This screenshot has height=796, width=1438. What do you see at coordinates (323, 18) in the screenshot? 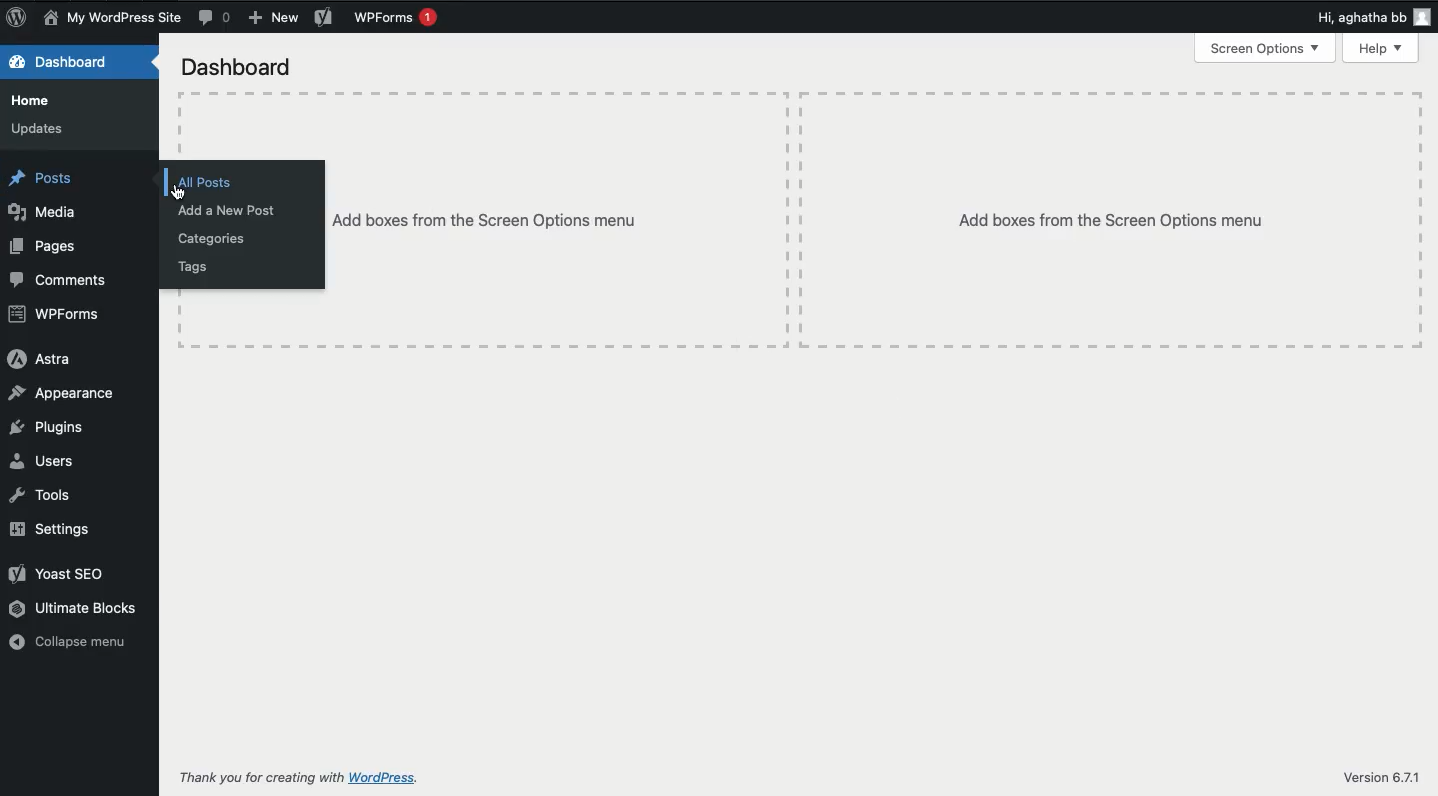
I see `Yoast` at bounding box center [323, 18].